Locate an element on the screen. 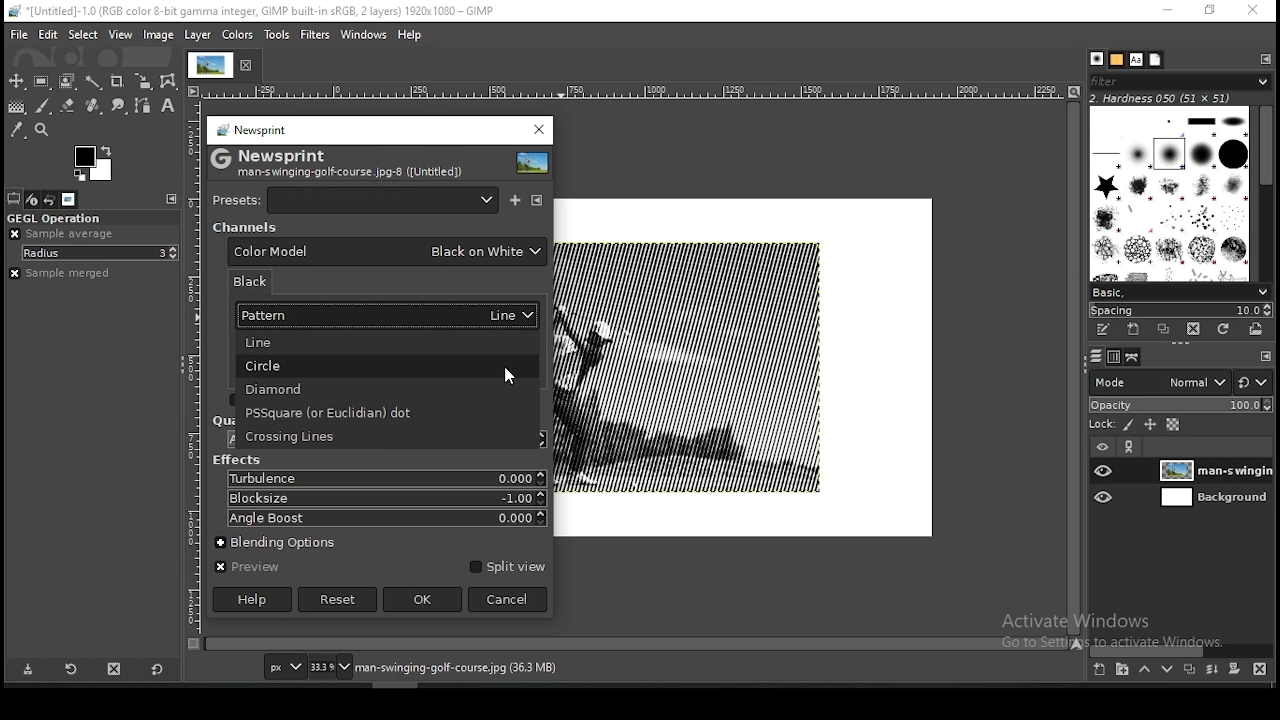 The image size is (1280, 720). layer is located at coordinates (1214, 470).